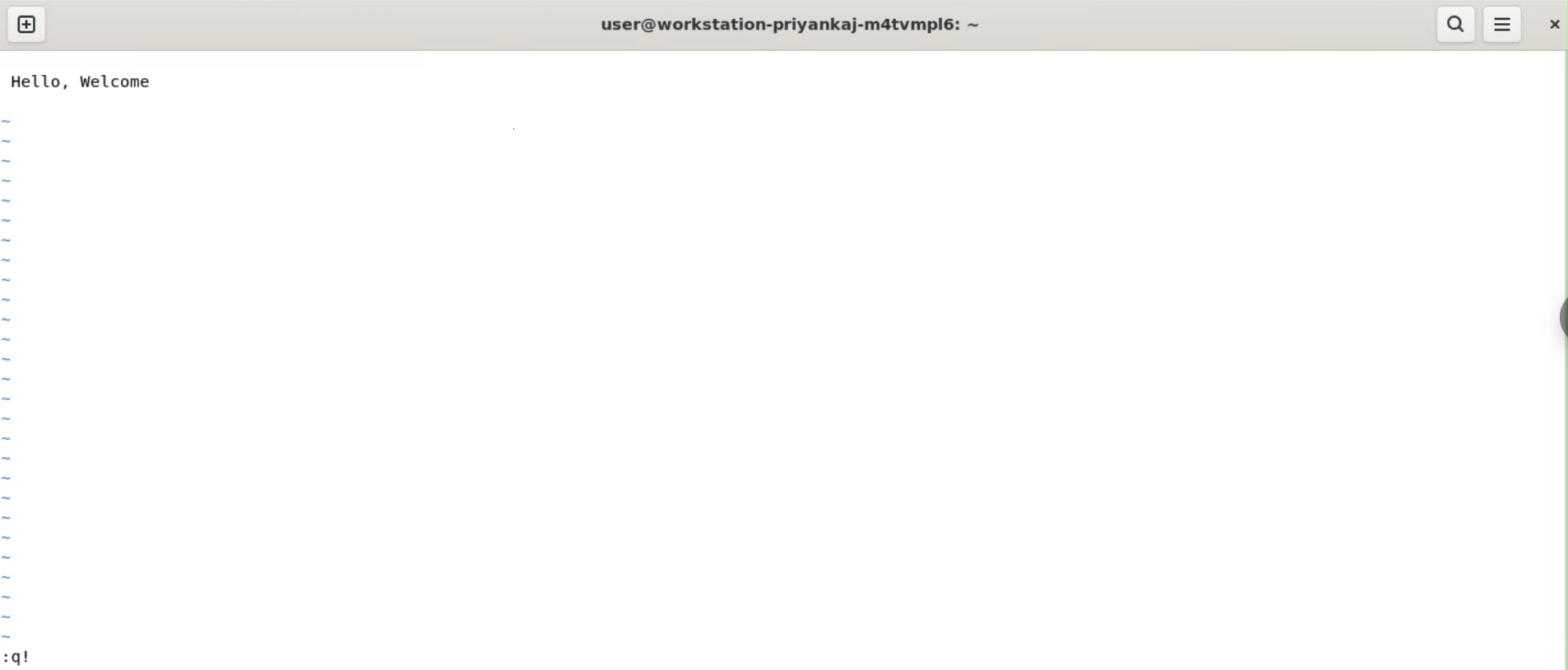 The height and width of the screenshot is (670, 1568). Describe the element at coordinates (81, 81) in the screenshot. I see `hello, welcome` at that location.